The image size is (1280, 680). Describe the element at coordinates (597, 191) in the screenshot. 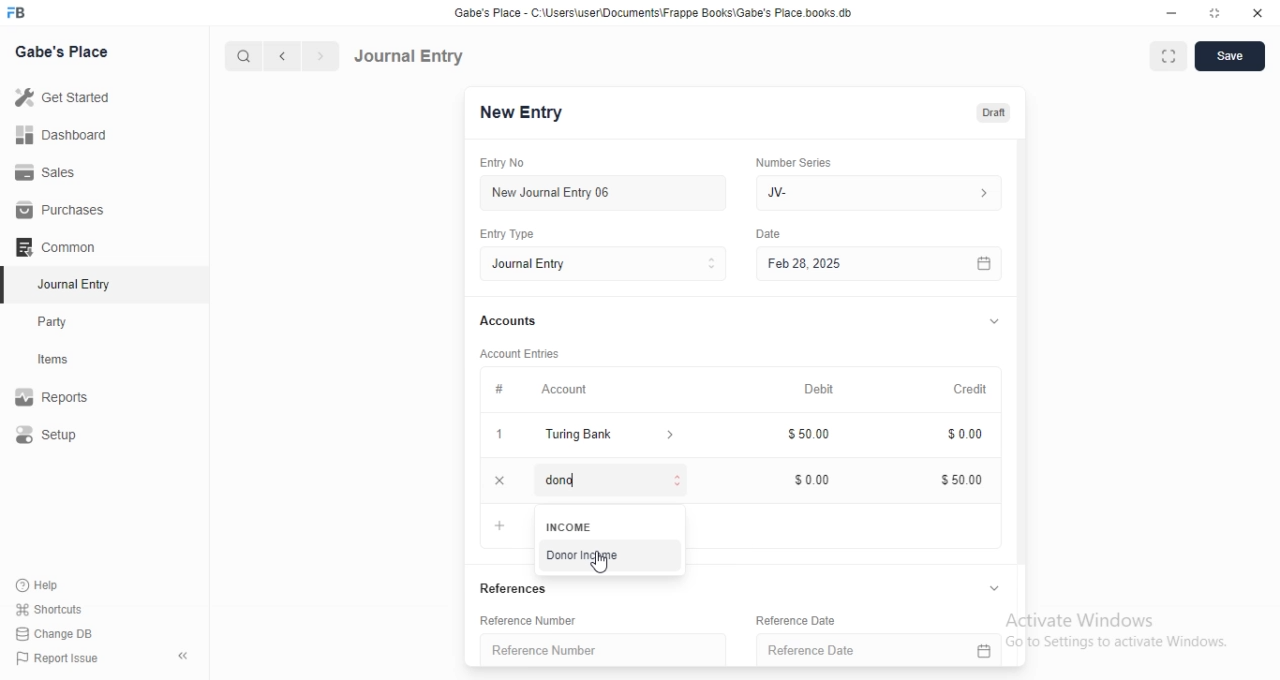

I see `New Journal Entry 06` at that location.